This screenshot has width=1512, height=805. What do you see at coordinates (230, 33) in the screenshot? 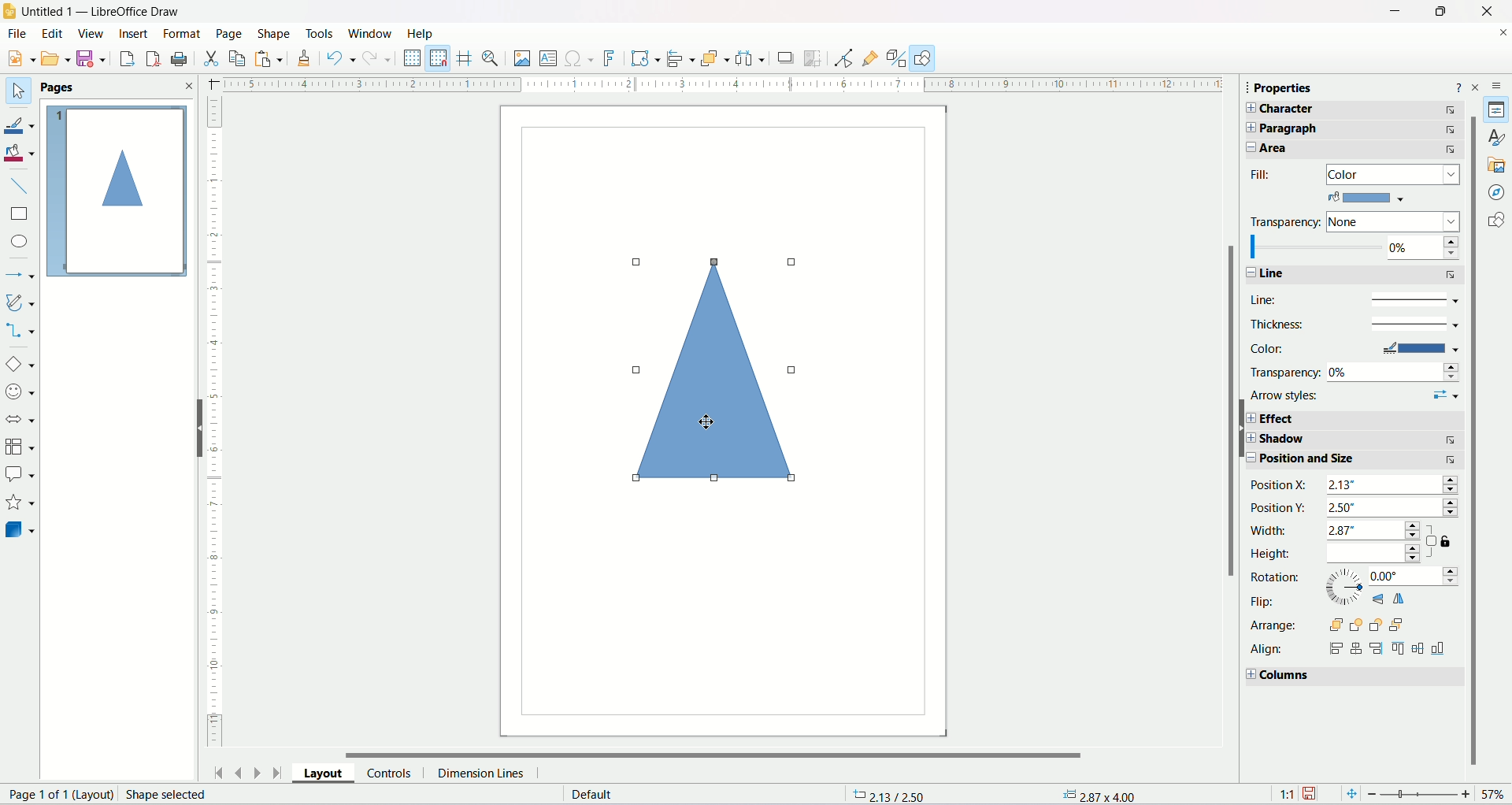
I see `Page` at bounding box center [230, 33].